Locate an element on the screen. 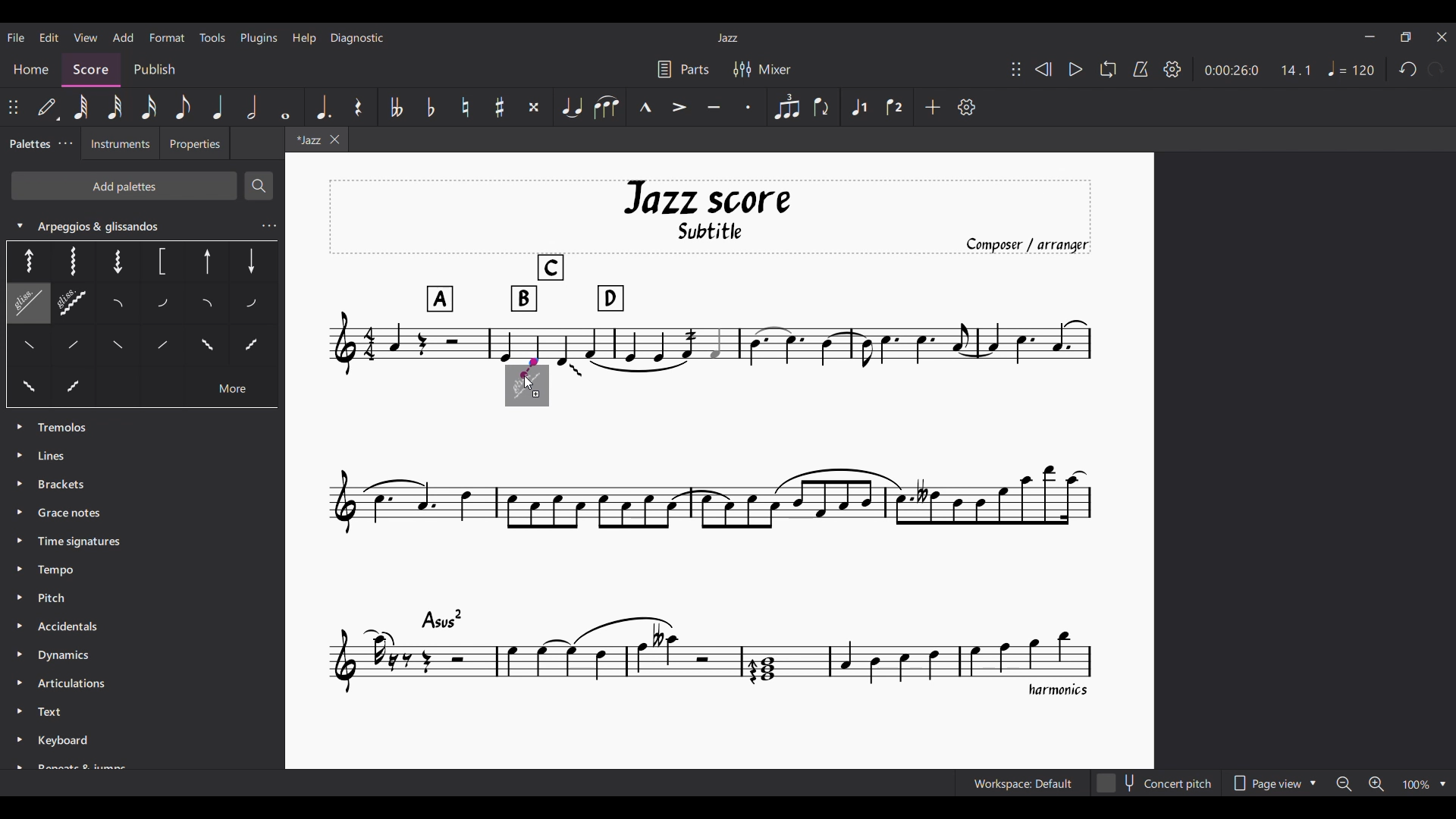 The height and width of the screenshot is (819, 1456). Properties is located at coordinates (199, 145).